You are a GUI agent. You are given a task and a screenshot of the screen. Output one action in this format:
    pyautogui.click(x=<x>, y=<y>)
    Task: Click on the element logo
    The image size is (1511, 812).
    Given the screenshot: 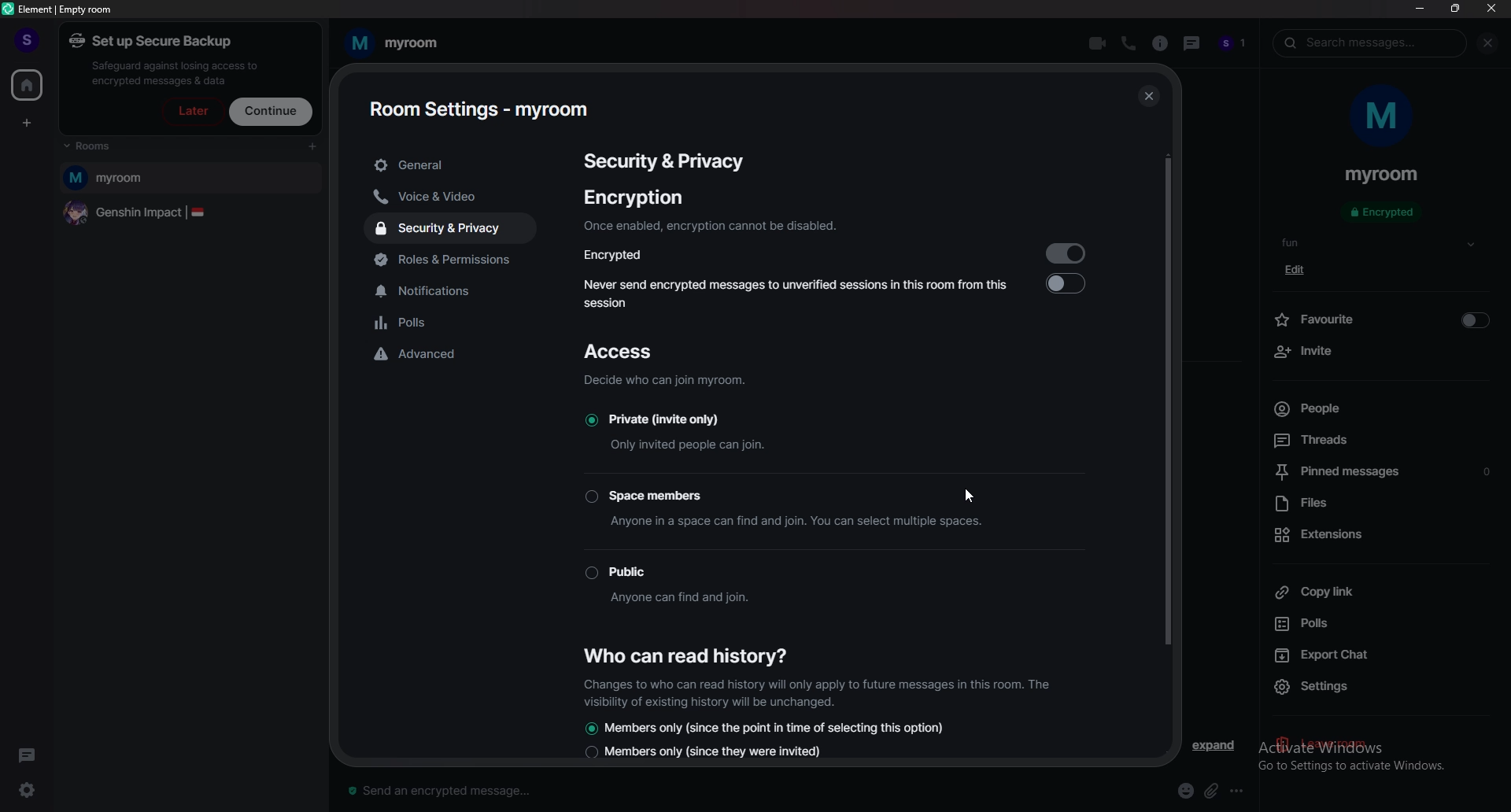 What is the action you would take?
    pyautogui.click(x=9, y=9)
    